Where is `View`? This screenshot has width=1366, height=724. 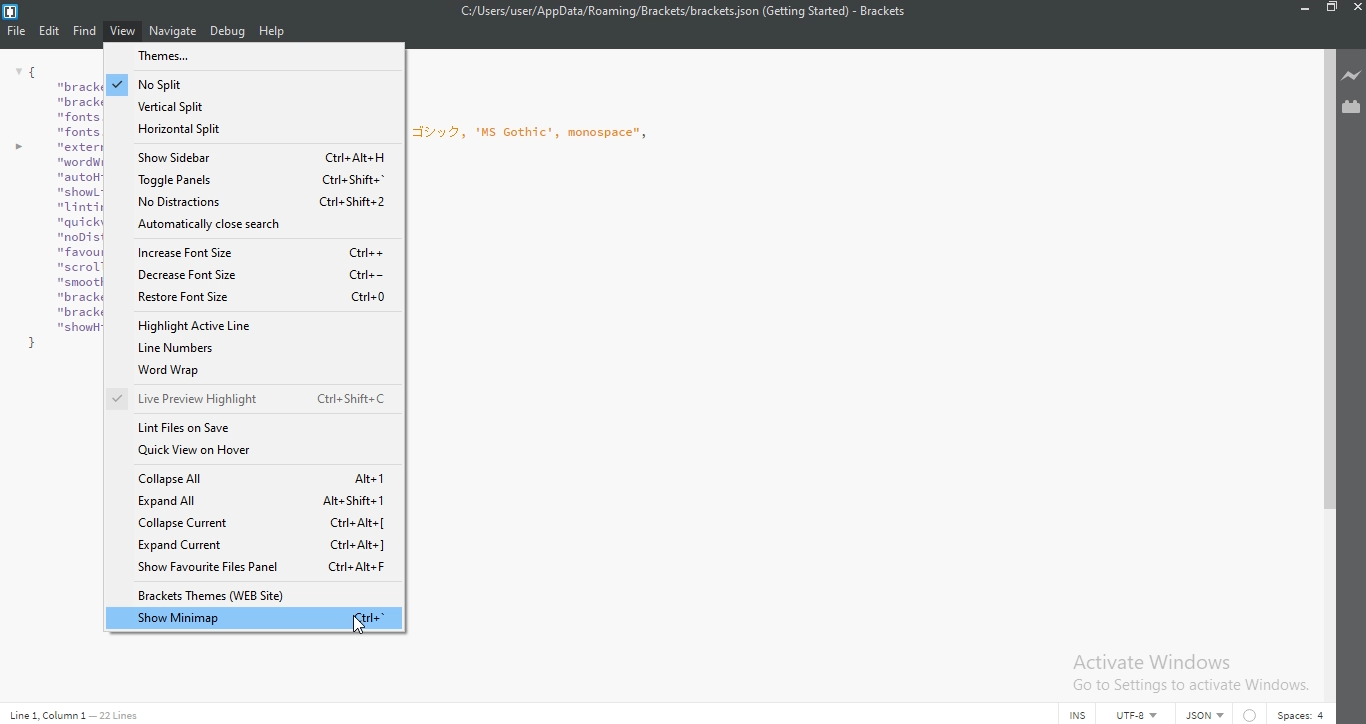 View is located at coordinates (124, 30).